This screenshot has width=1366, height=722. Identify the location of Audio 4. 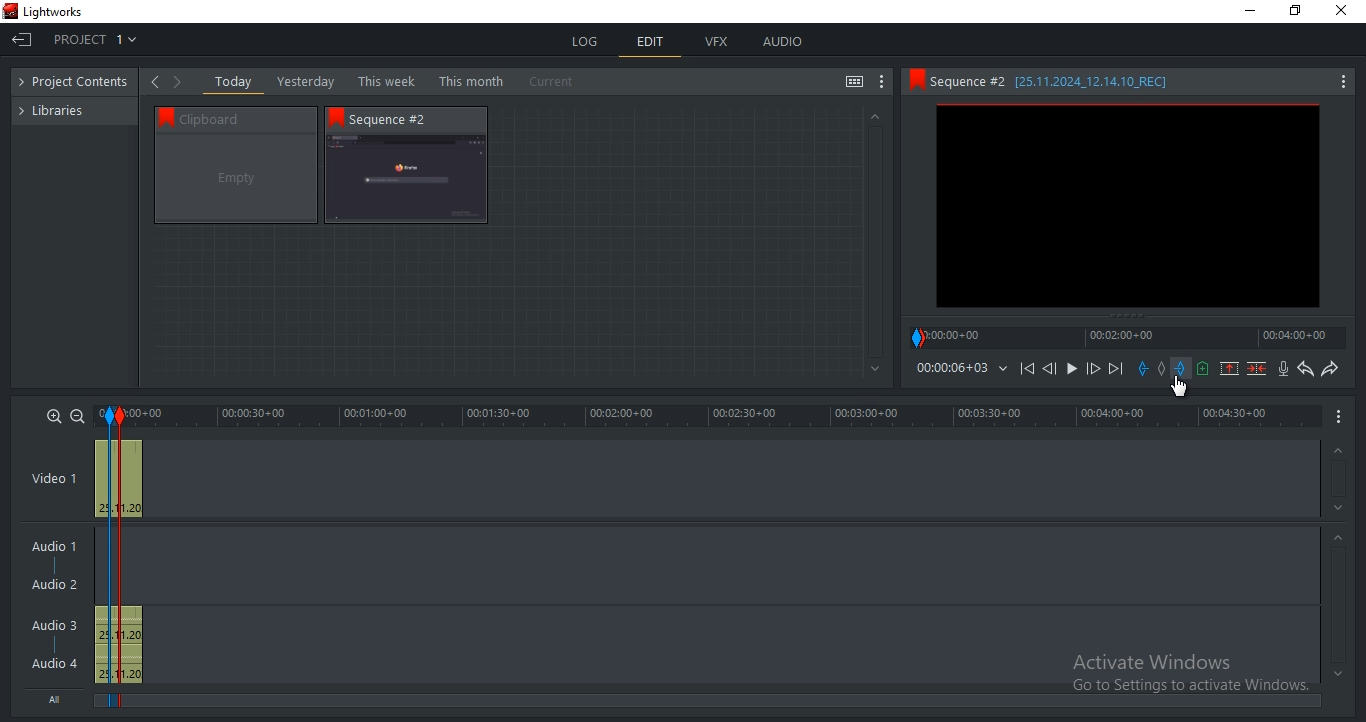
(55, 662).